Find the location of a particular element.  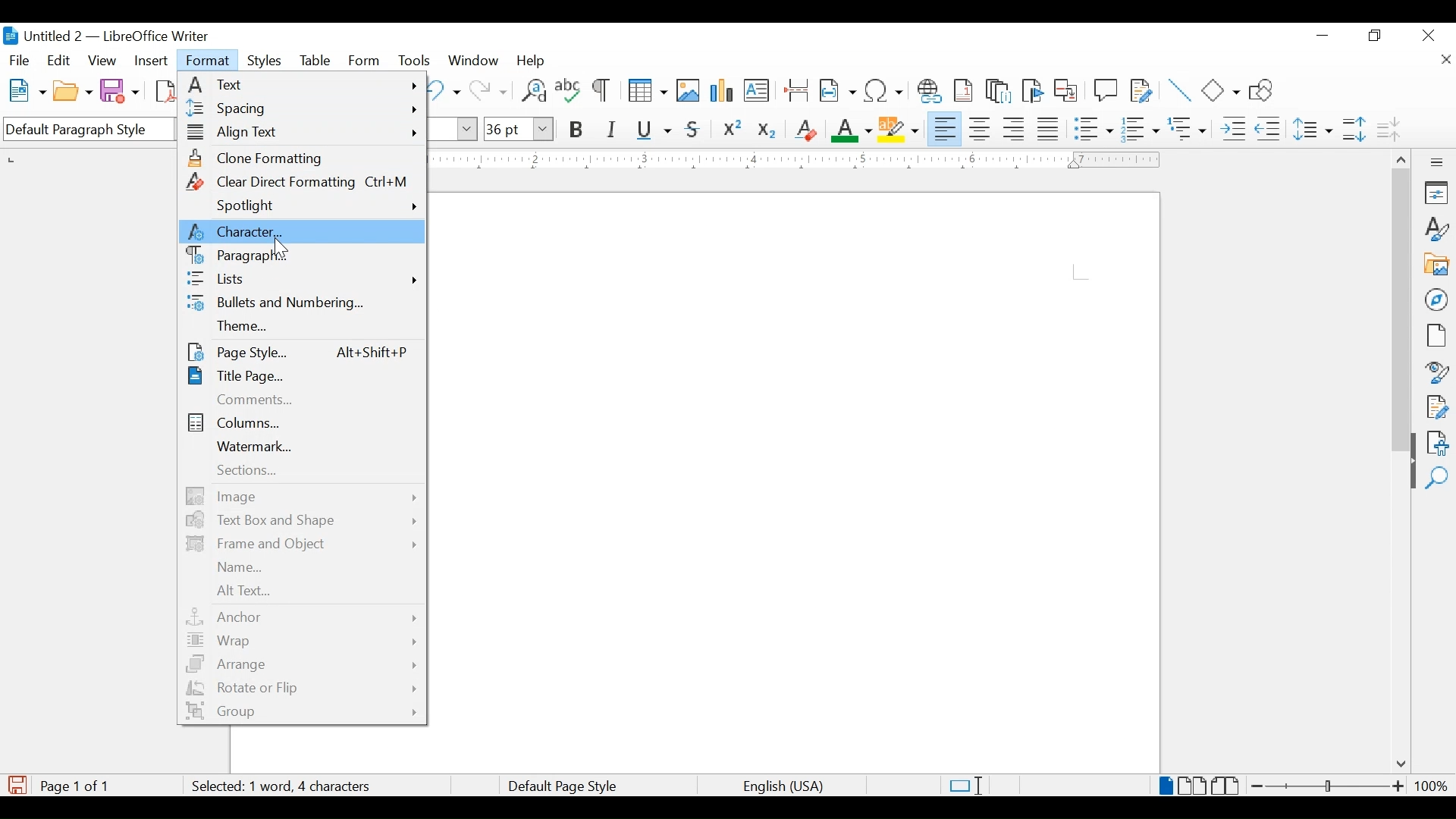

align left is located at coordinates (946, 127).